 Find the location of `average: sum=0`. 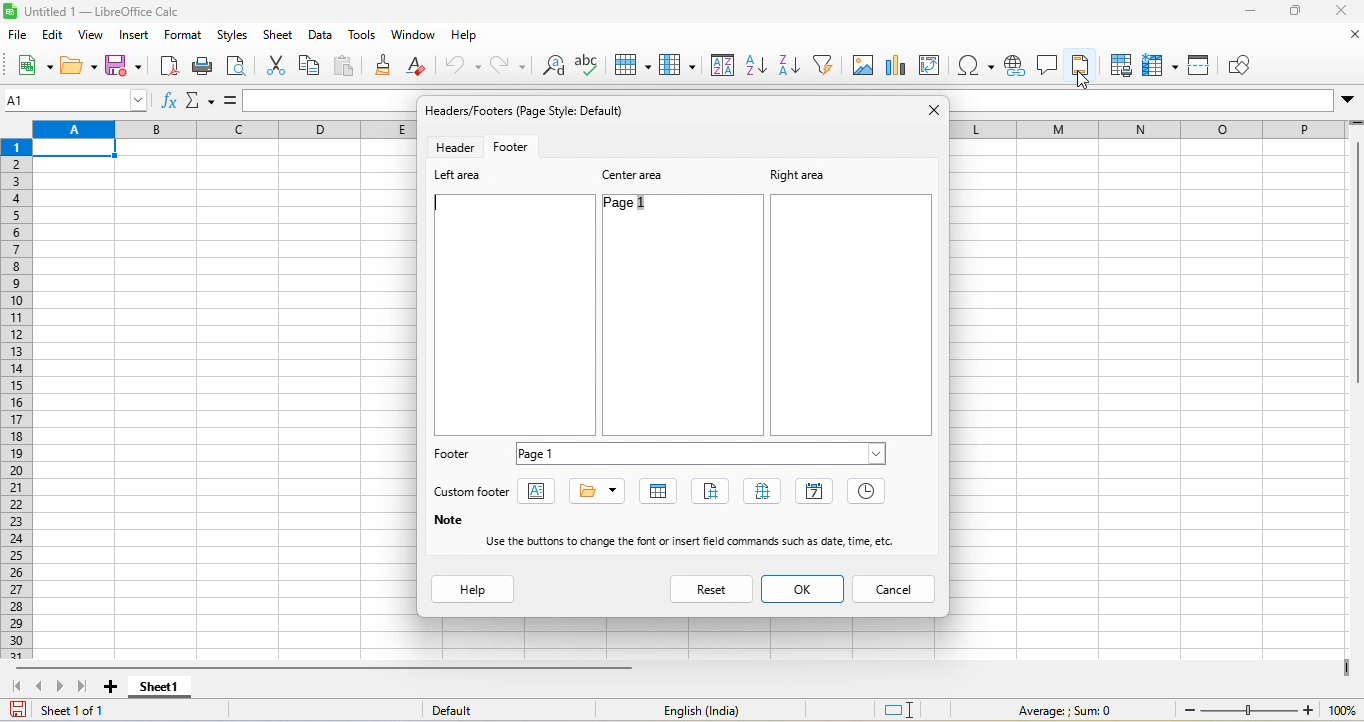

average: sum=0 is located at coordinates (1068, 711).